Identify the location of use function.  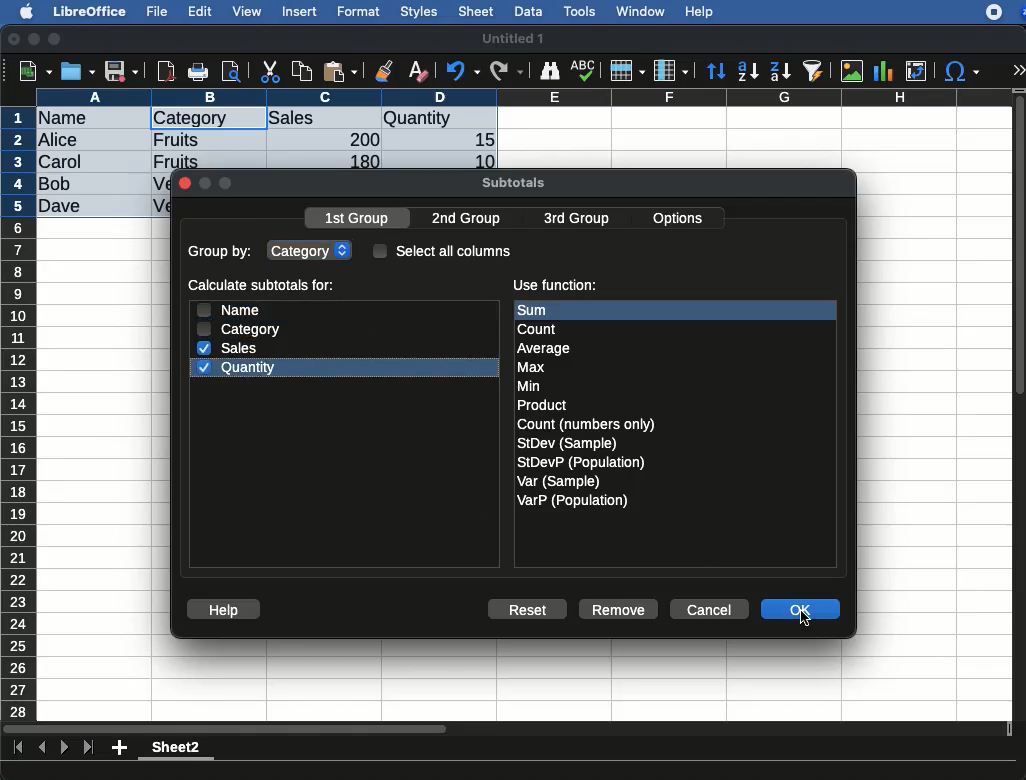
(554, 286).